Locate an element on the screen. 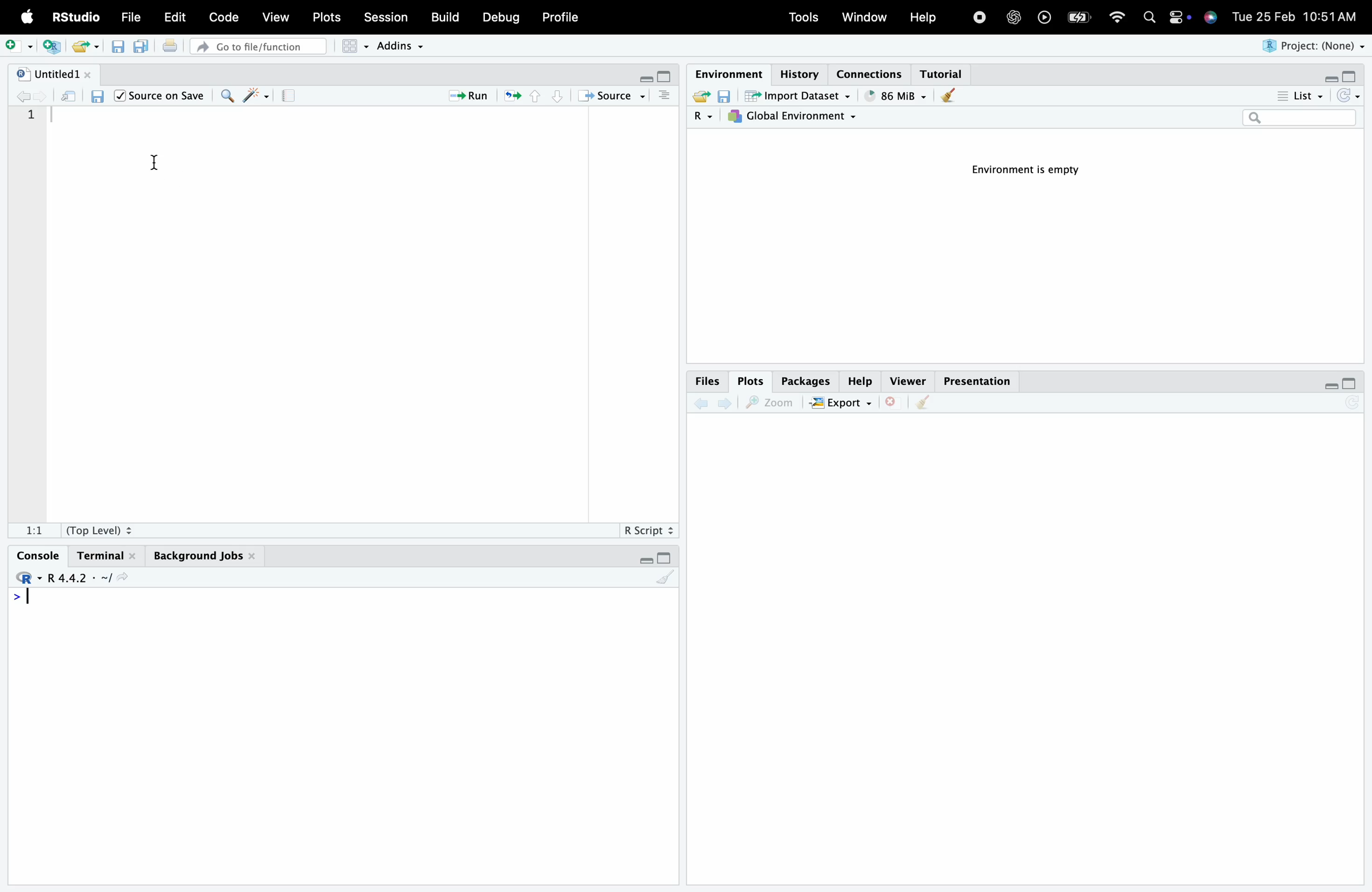 The height and width of the screenshot is (892, 1372). Environment is located at coordinates (726, 72).